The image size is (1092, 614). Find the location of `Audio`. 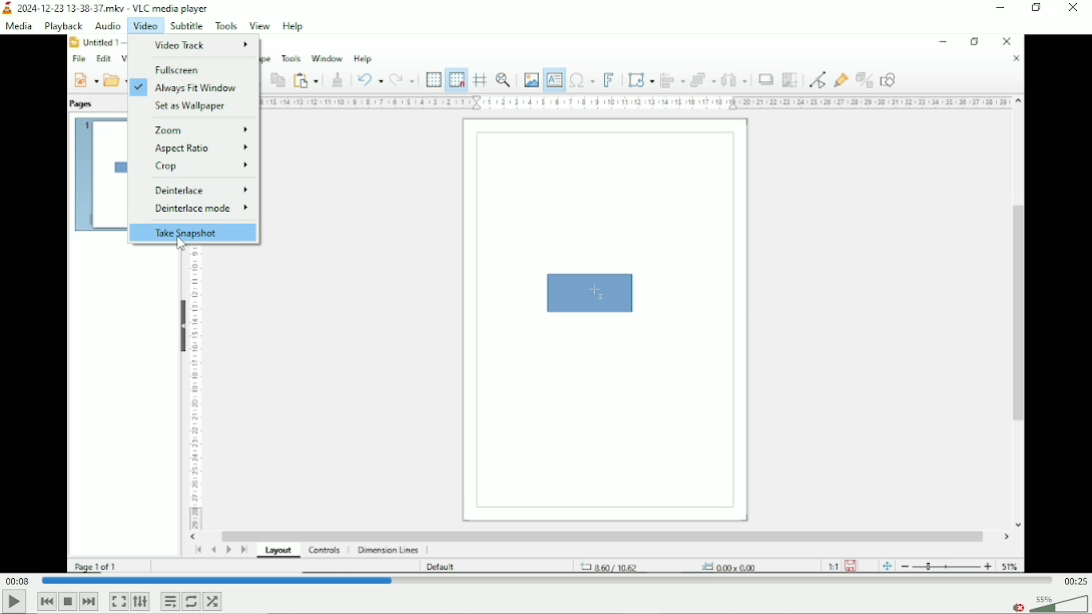

Audio is located at coordinates (106, 26).